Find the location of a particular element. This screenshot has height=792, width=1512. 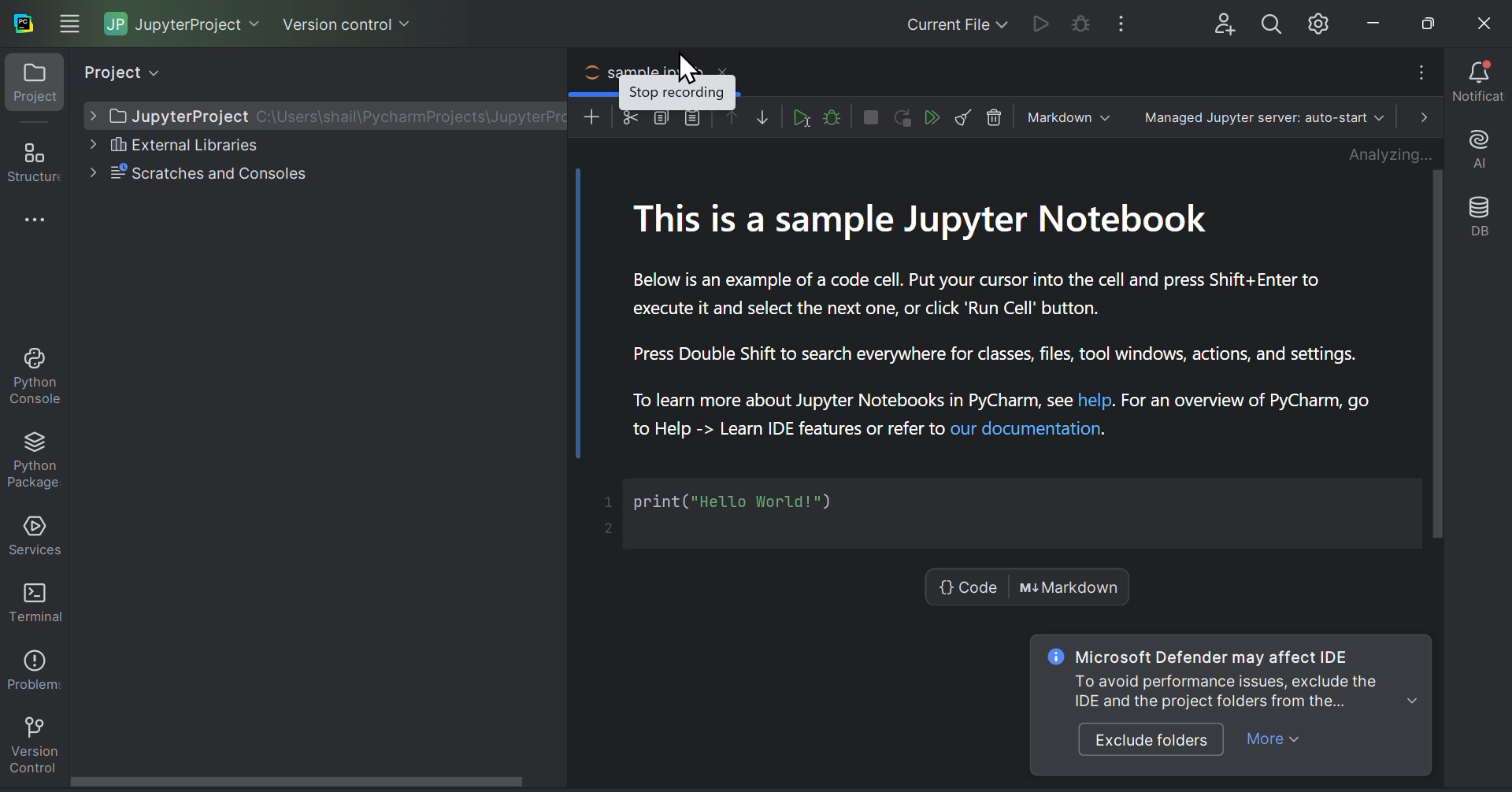

Django project is located at coordinates (932, 21).